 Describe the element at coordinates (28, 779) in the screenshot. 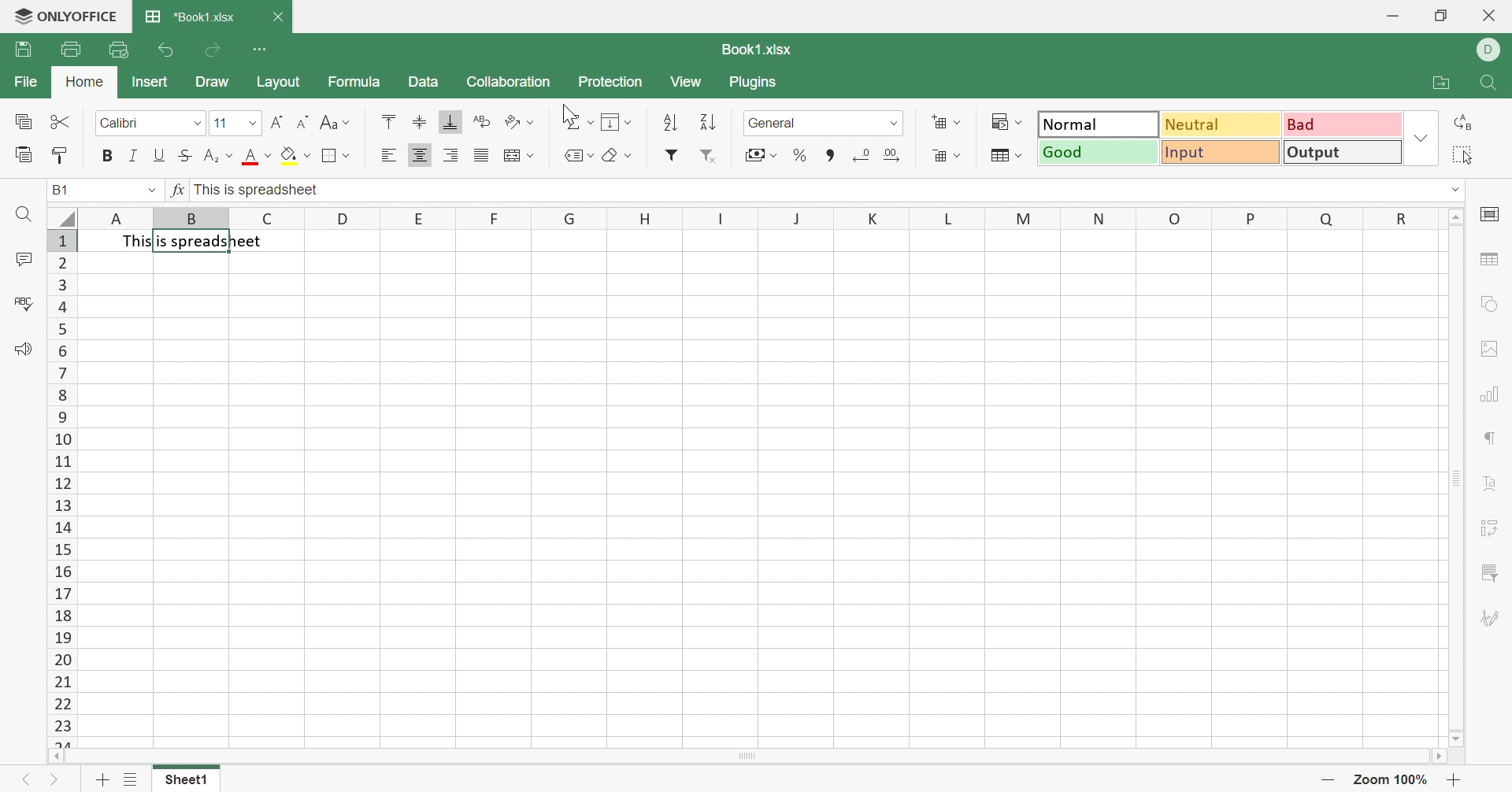

I see `Previous` at that location.